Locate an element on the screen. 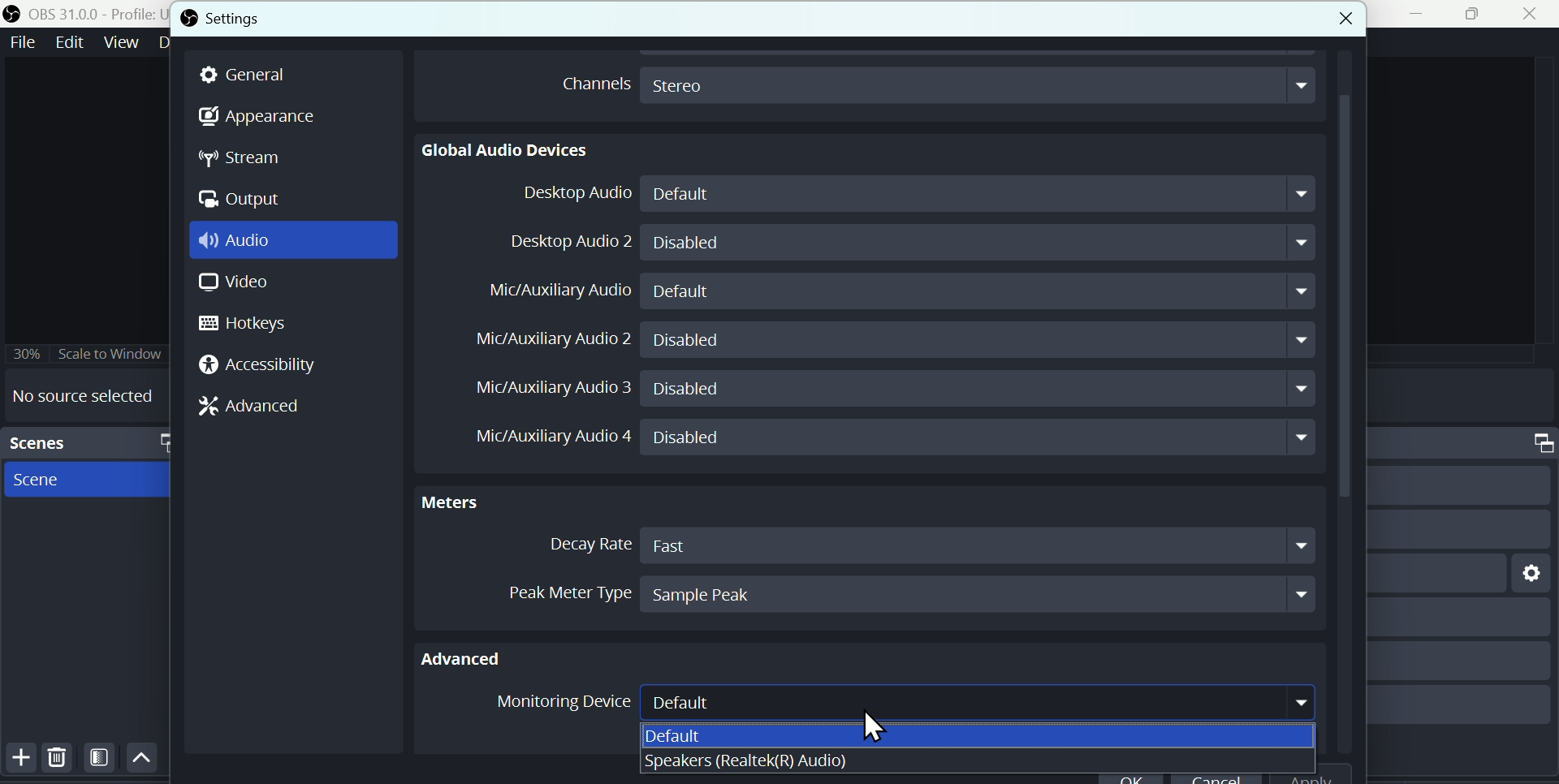 The image size is (1559, 784). Cursor is located at coordinates (875, 726).